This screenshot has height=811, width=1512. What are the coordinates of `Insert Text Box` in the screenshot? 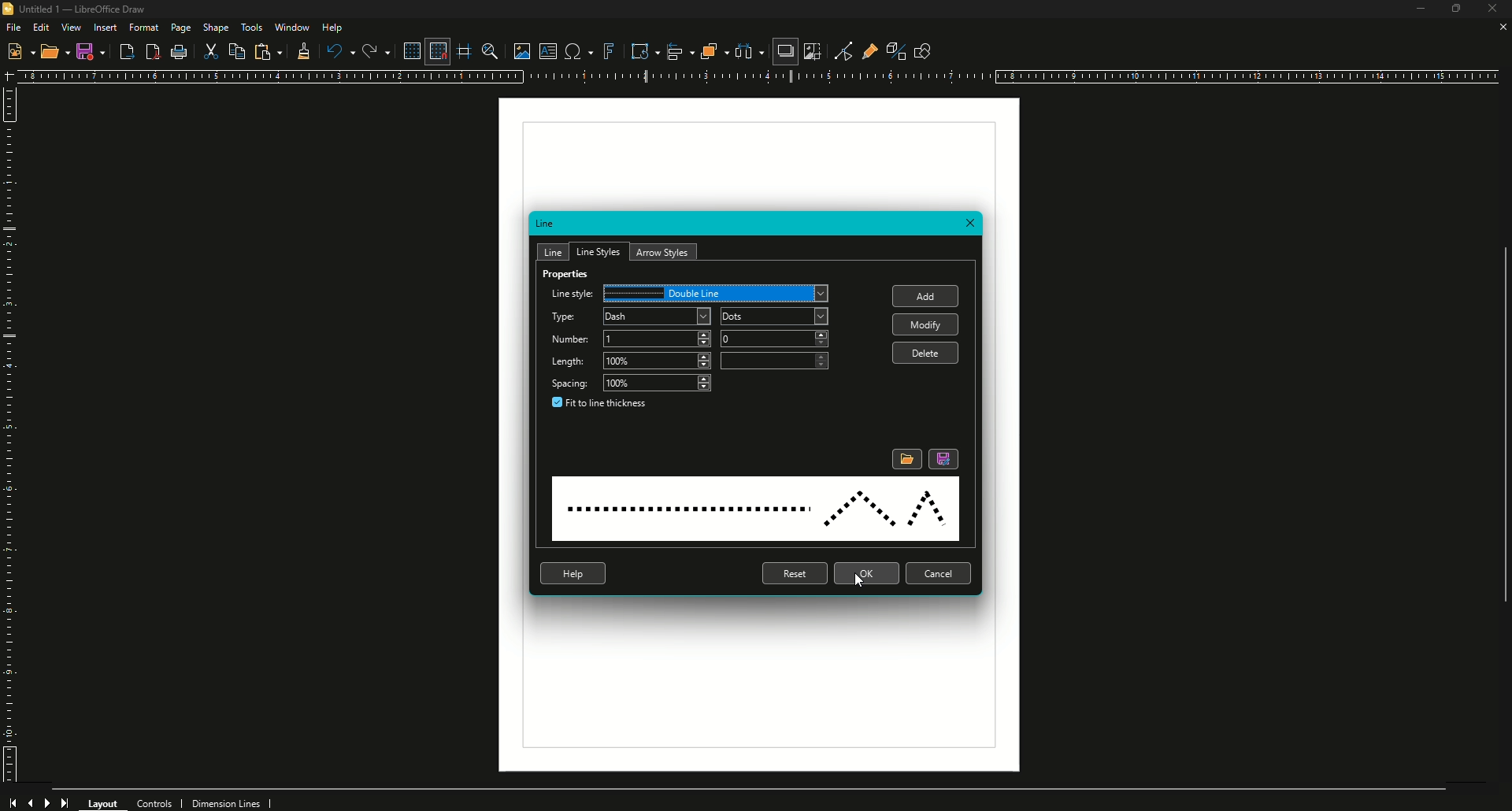 It's located at (546, 51).